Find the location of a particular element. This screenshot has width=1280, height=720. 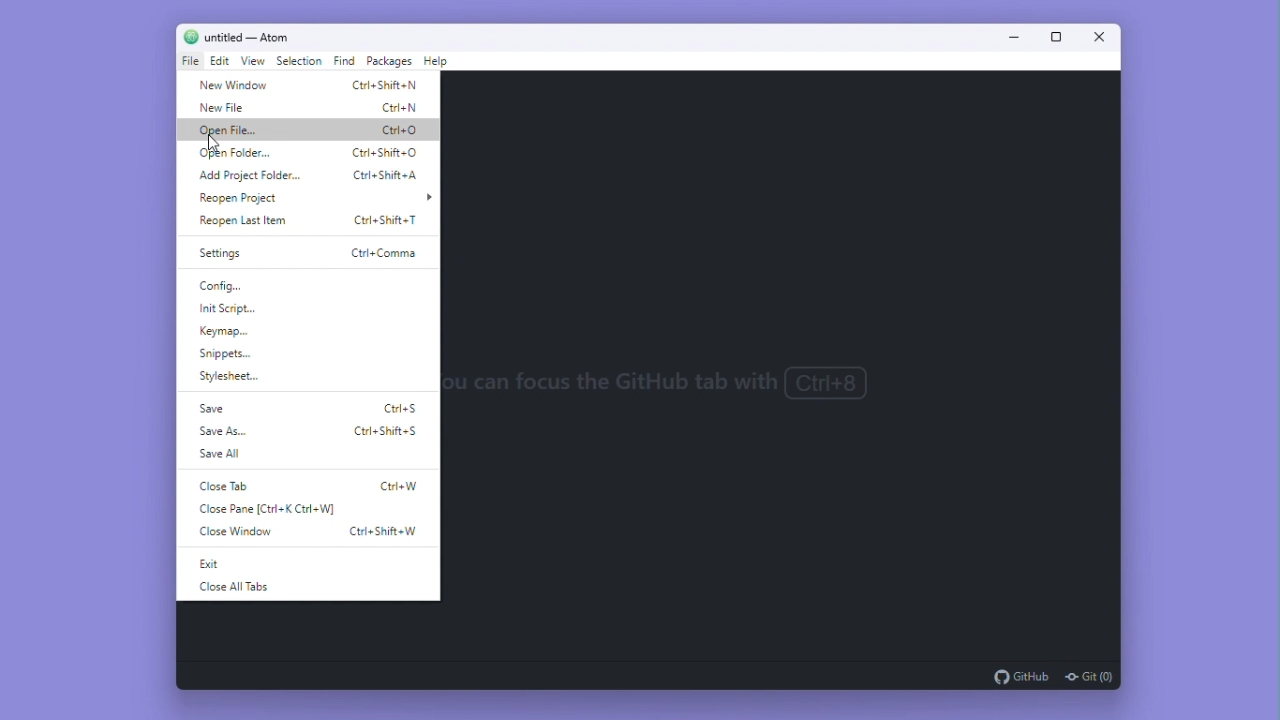

Save all is located at coordinates (223, 453).